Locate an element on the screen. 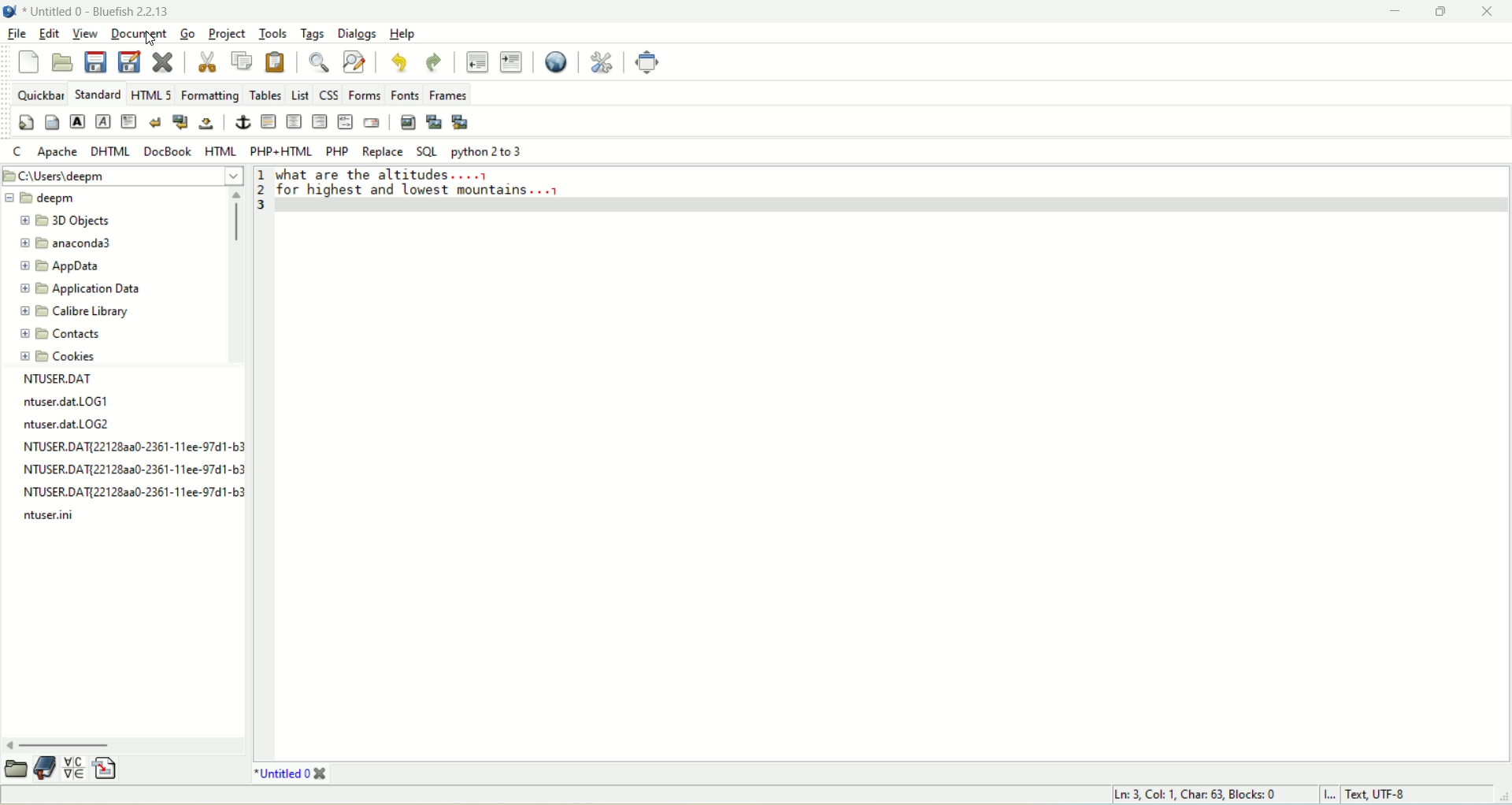 This screenshot has width=1512, height=805. multi-thumbnail is located at coordinates (460, 121).